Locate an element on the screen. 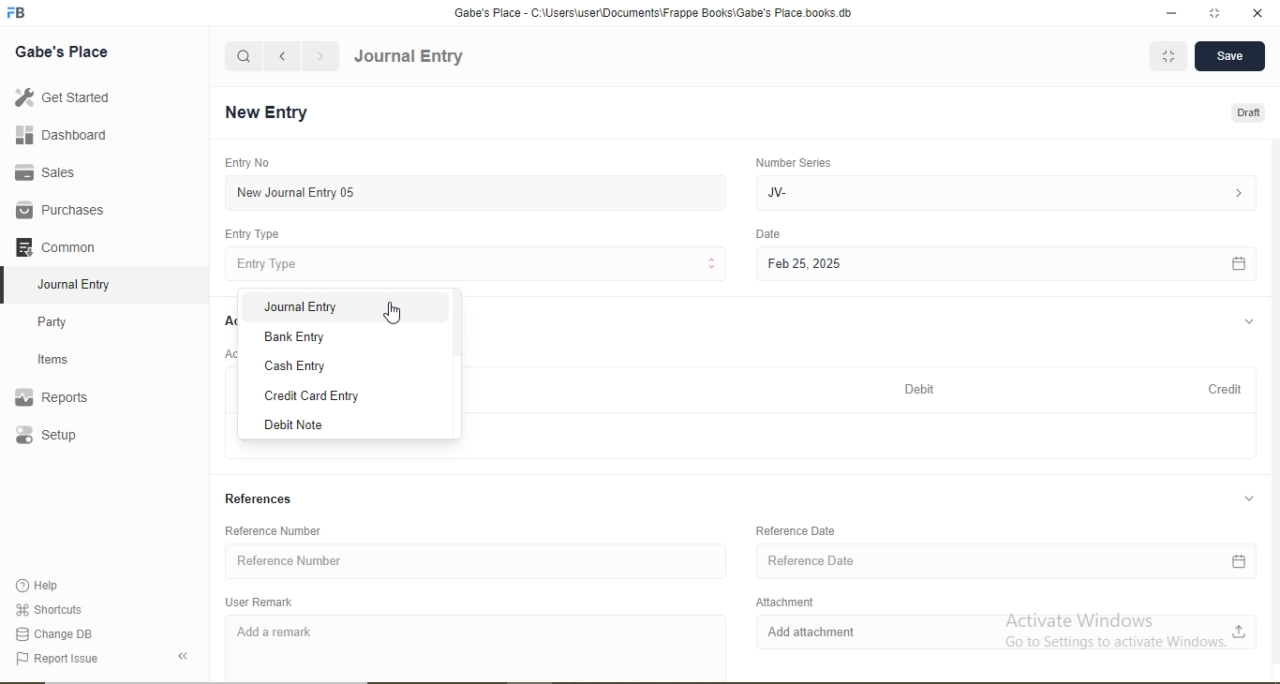 Image resolution: width=1280 pixels, height=684 pixels. Get Started is located at coordinates (60, 97).